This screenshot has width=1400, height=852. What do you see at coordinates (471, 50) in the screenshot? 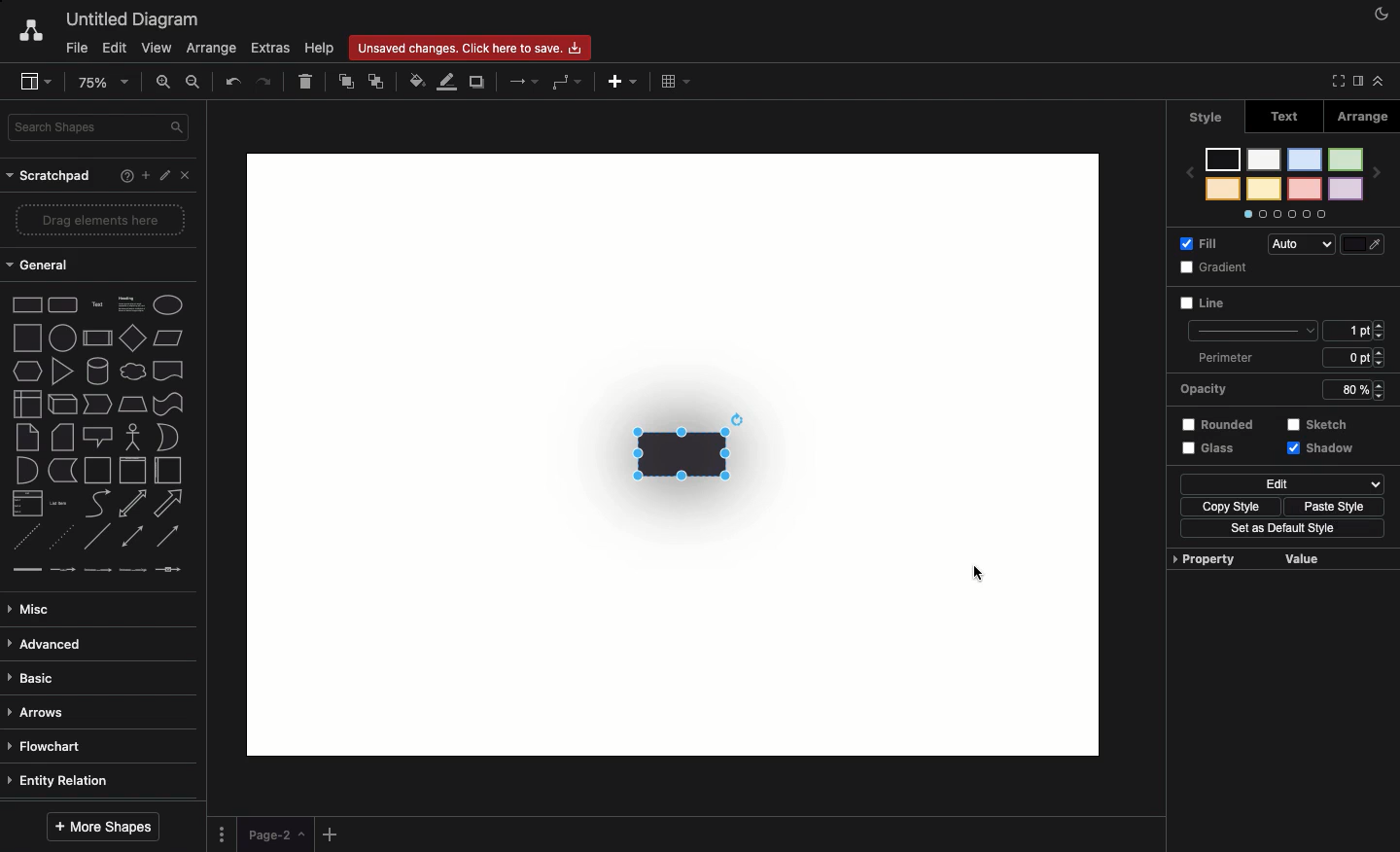
I see `Unsaved` at bounding box center [471, 50].